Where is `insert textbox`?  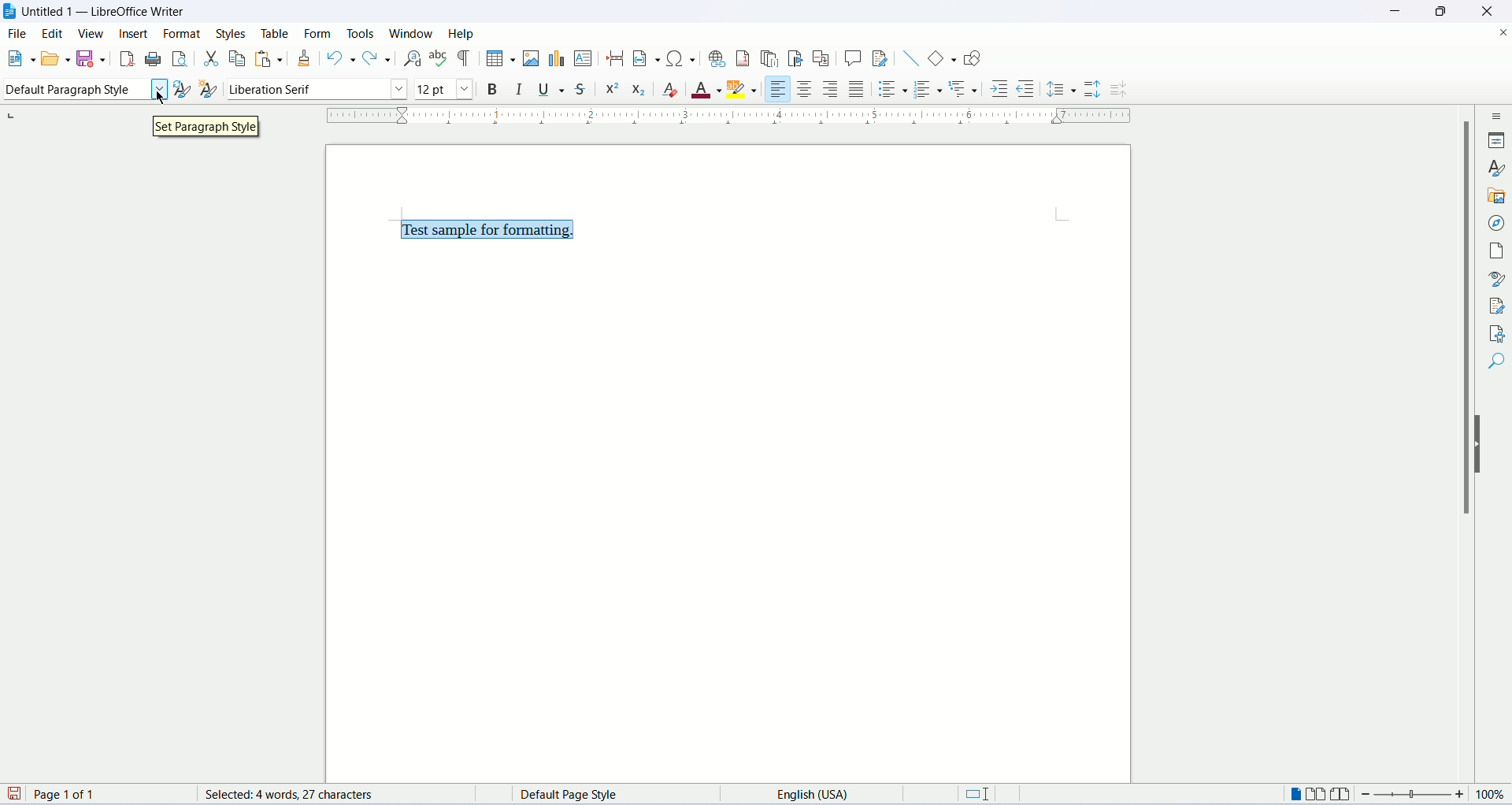
insert textbox is located at coordinates (584, 58).